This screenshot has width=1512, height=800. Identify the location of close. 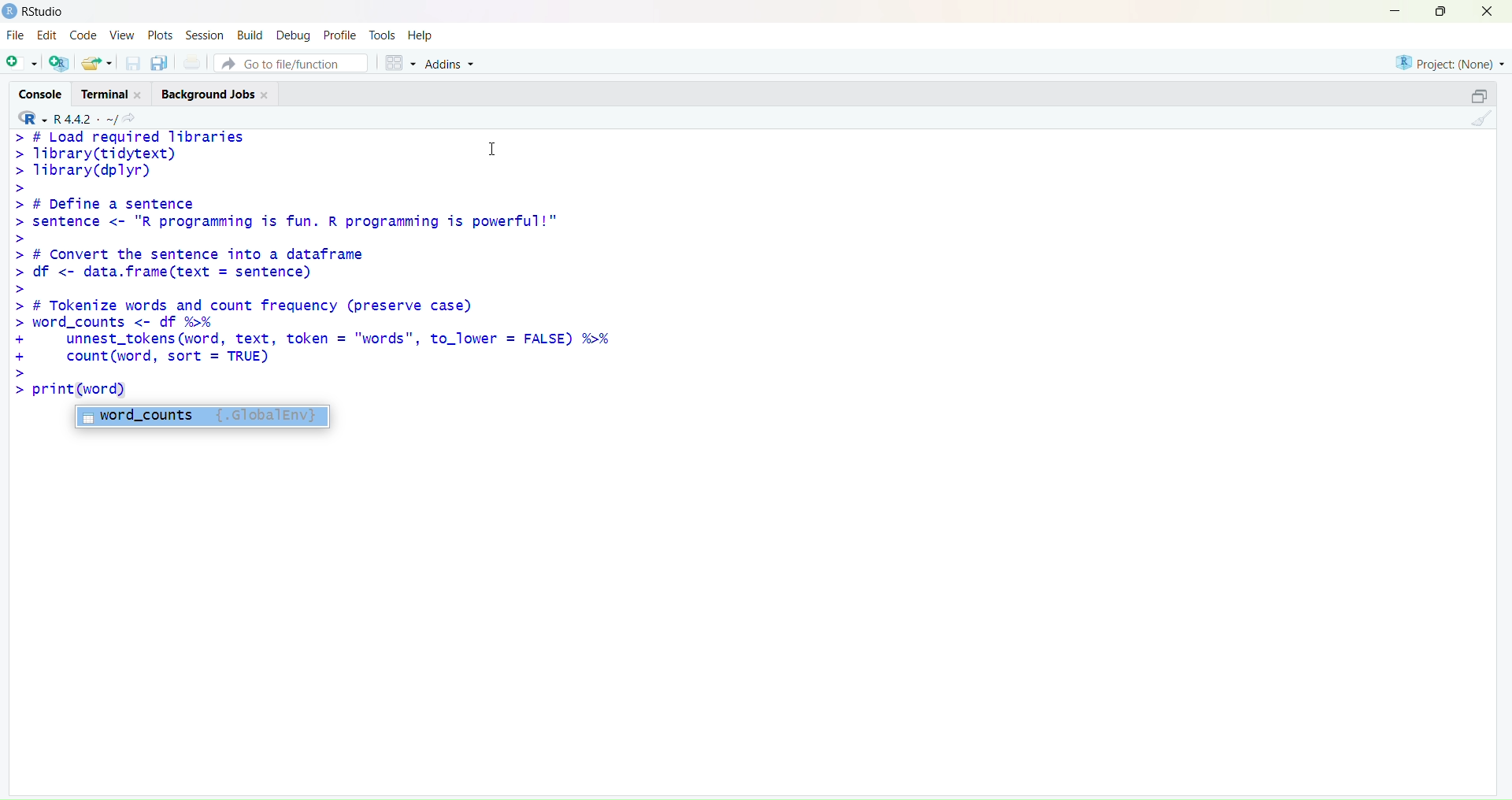
(1488, 12).